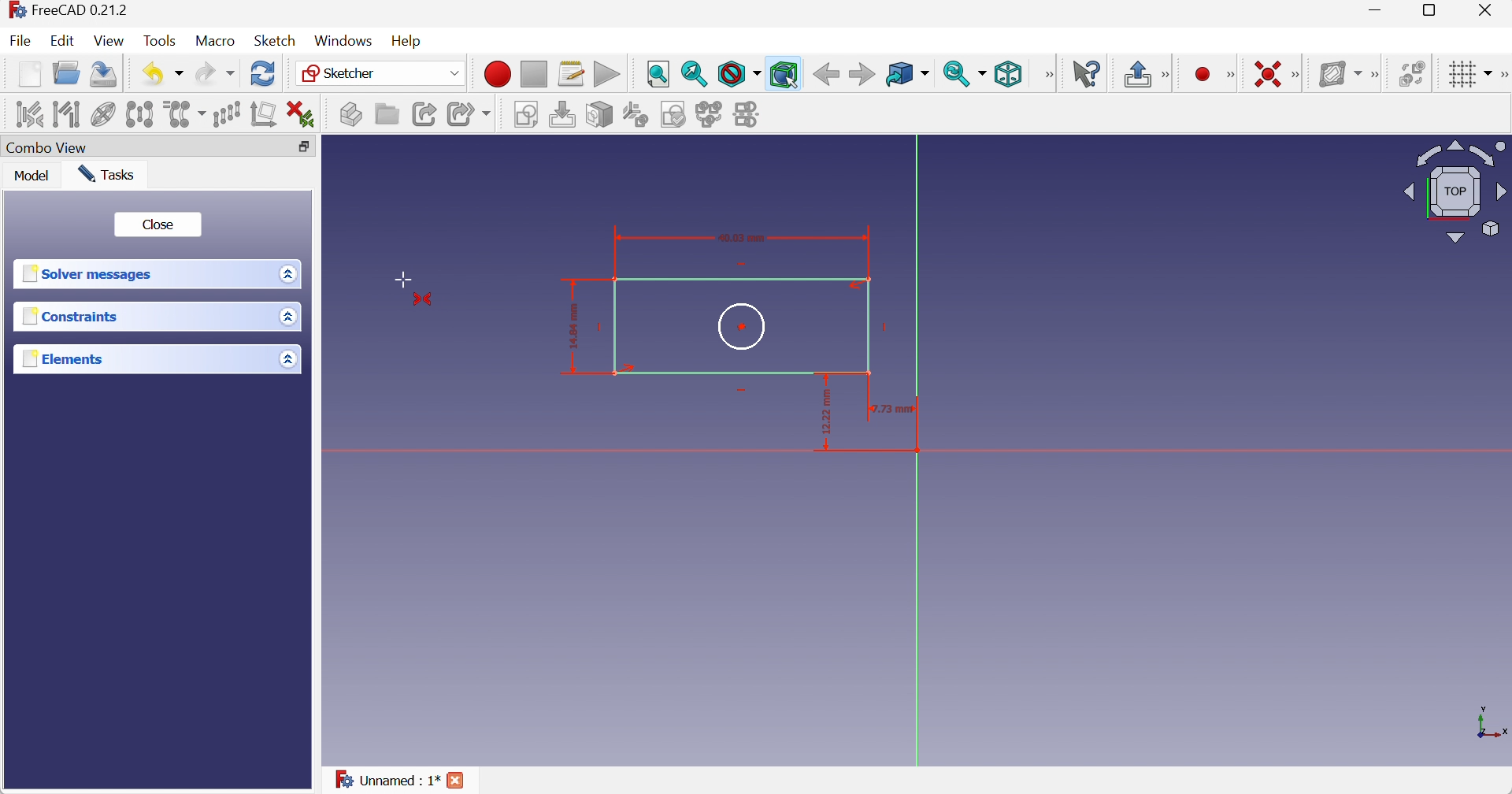  I want to click on New, so click(30, 76).